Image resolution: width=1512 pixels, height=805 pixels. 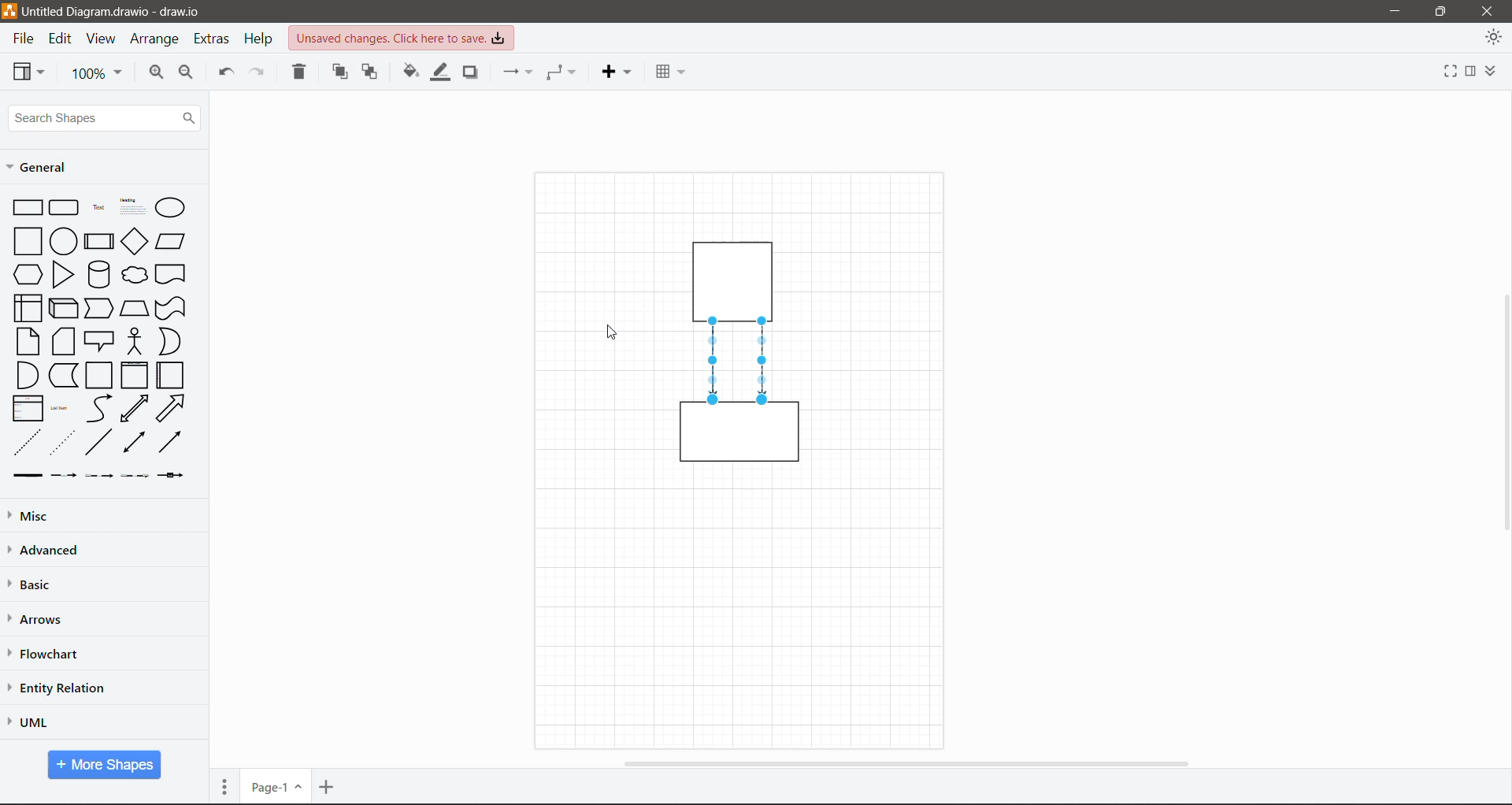 What do you see at coordinates (669, 69) in the screenshot?
I see `Table` at bounding box center [669, 69].